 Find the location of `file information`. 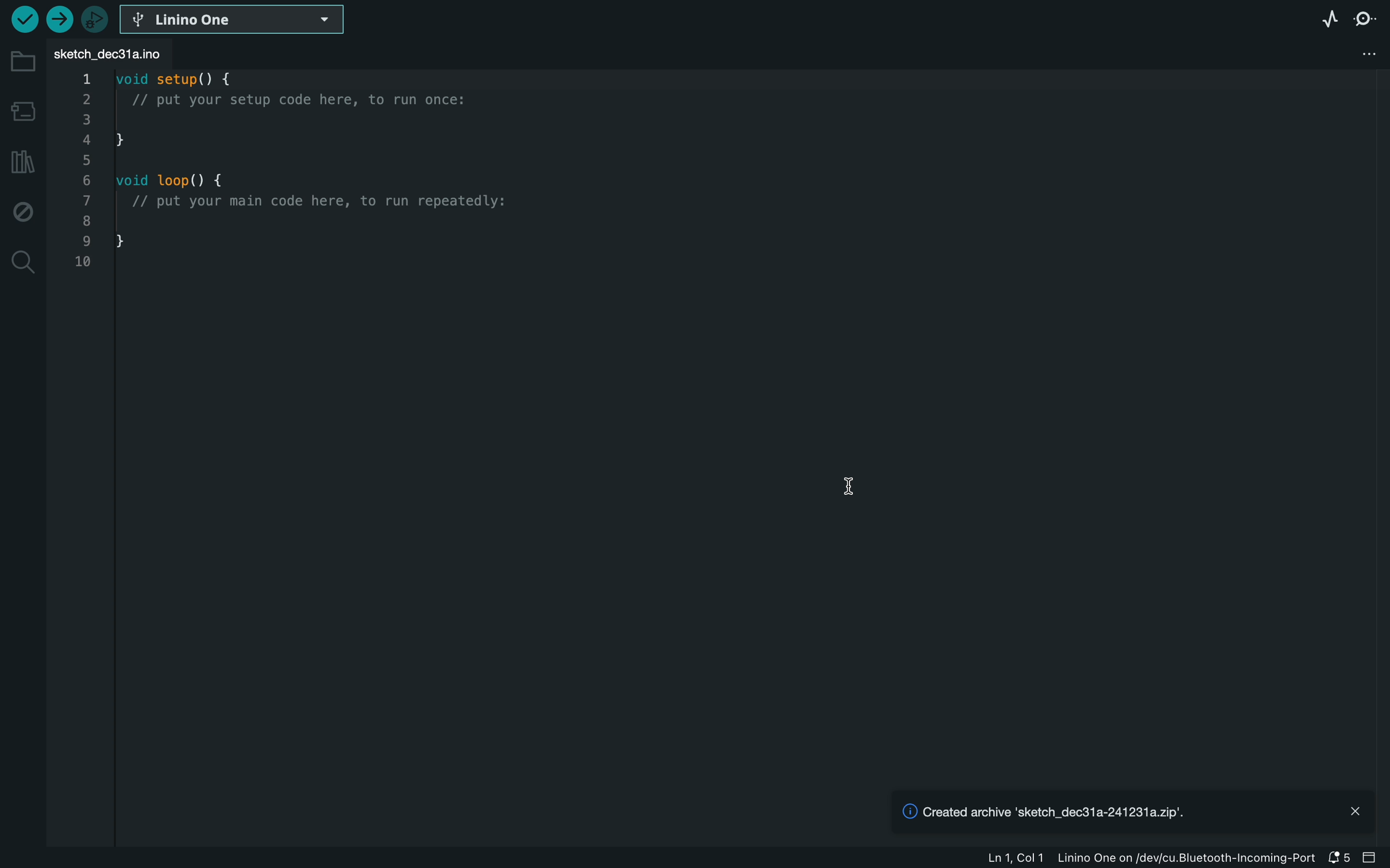

file information is located at coordinates (1147, 859).